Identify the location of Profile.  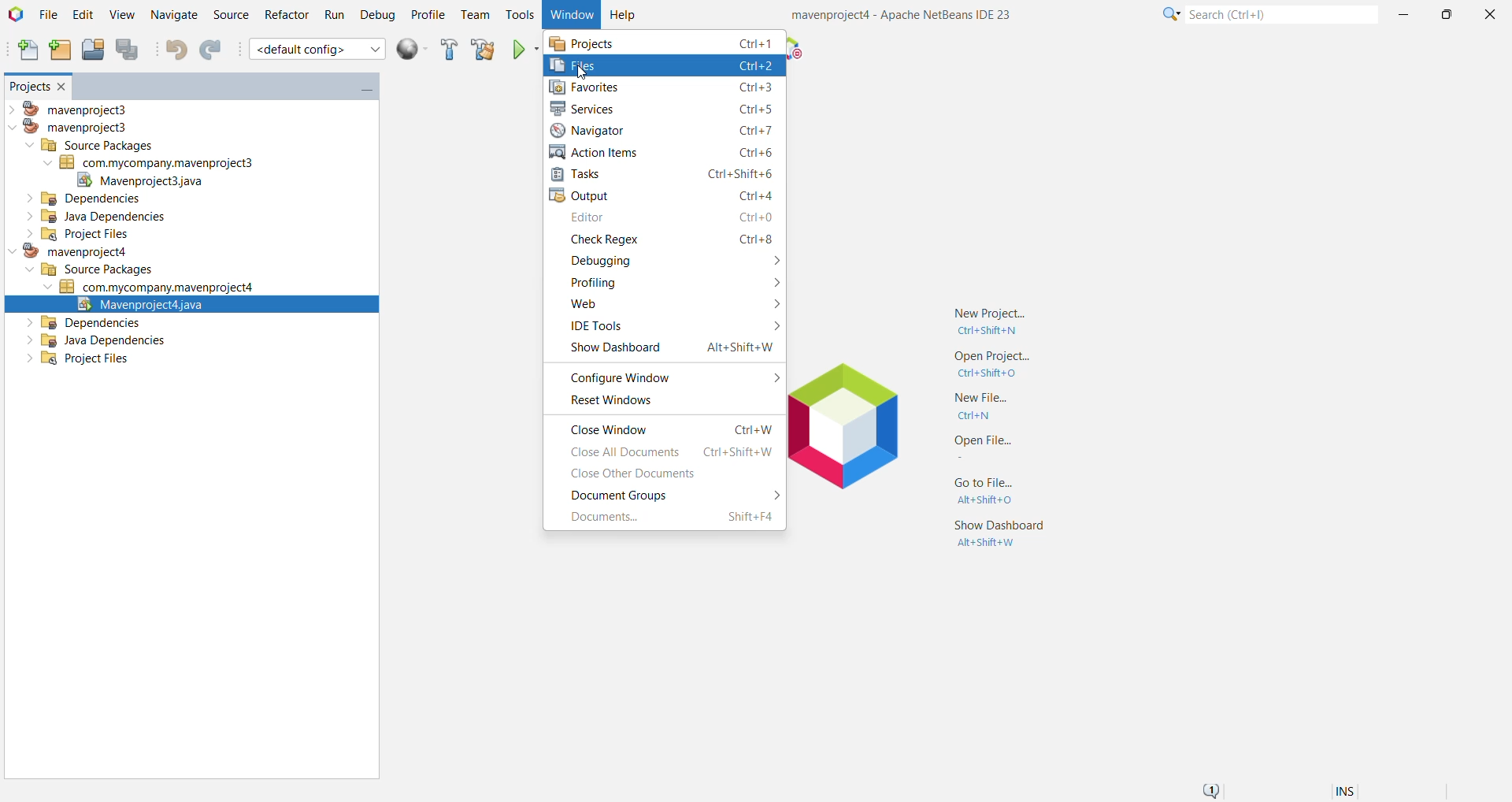
(428, 17).